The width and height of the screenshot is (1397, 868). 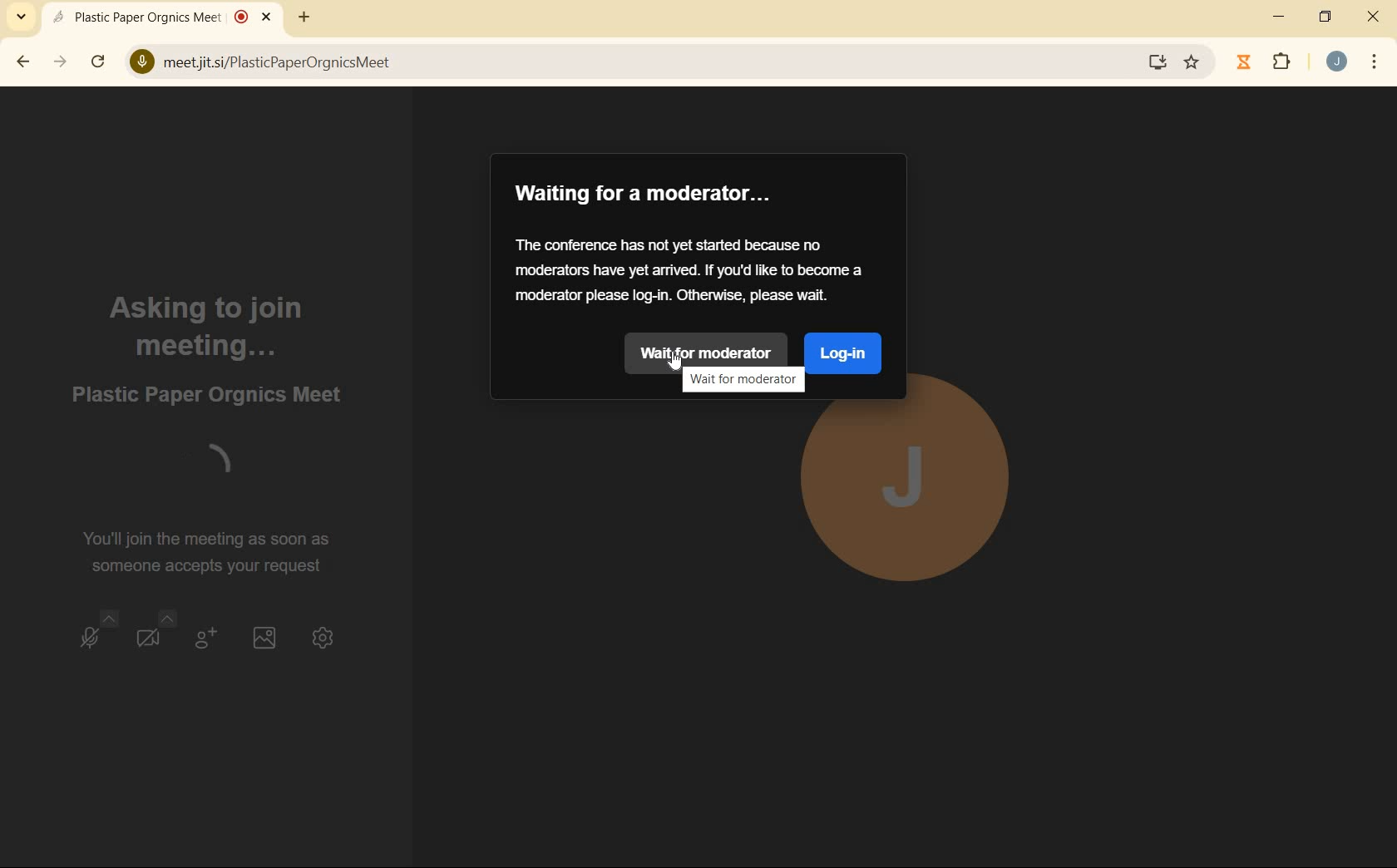 I want to click on Plastic Paper Orgnics Meet, so click(x=208, y=394).